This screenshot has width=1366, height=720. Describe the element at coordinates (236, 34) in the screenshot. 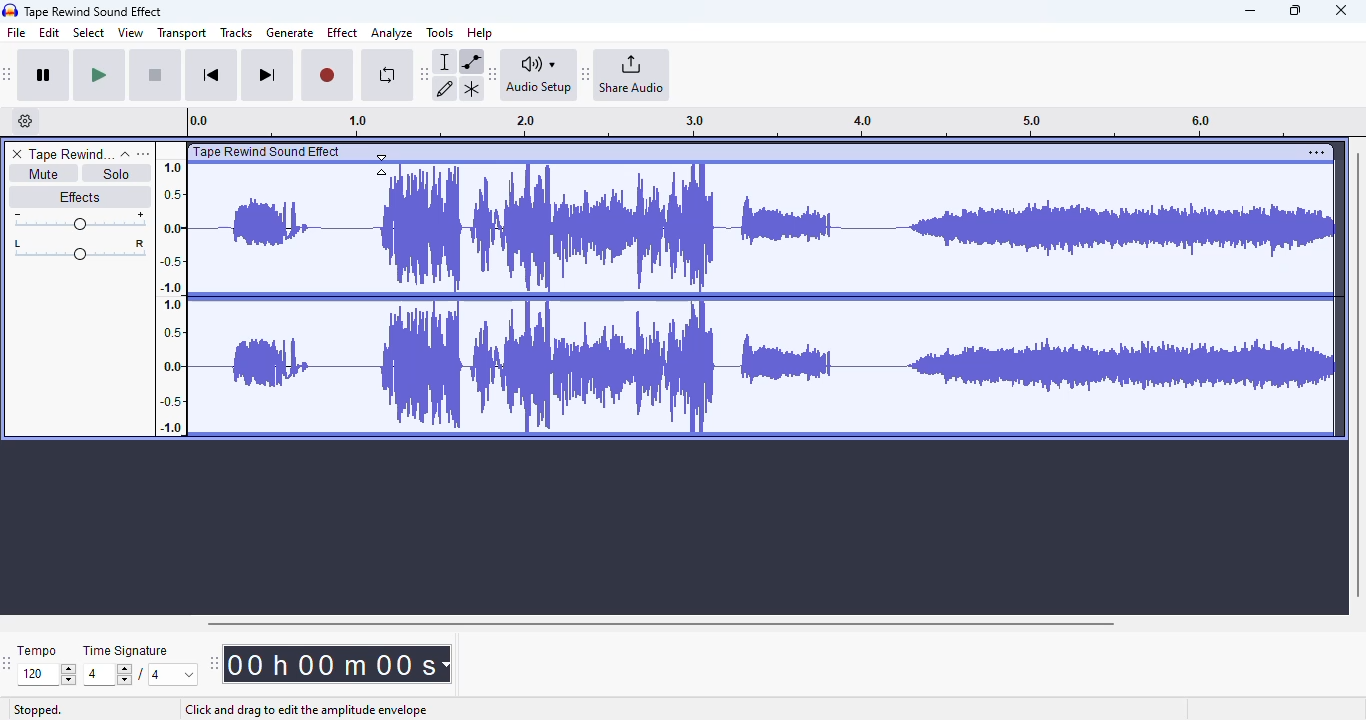

I see `tracks` at that location.